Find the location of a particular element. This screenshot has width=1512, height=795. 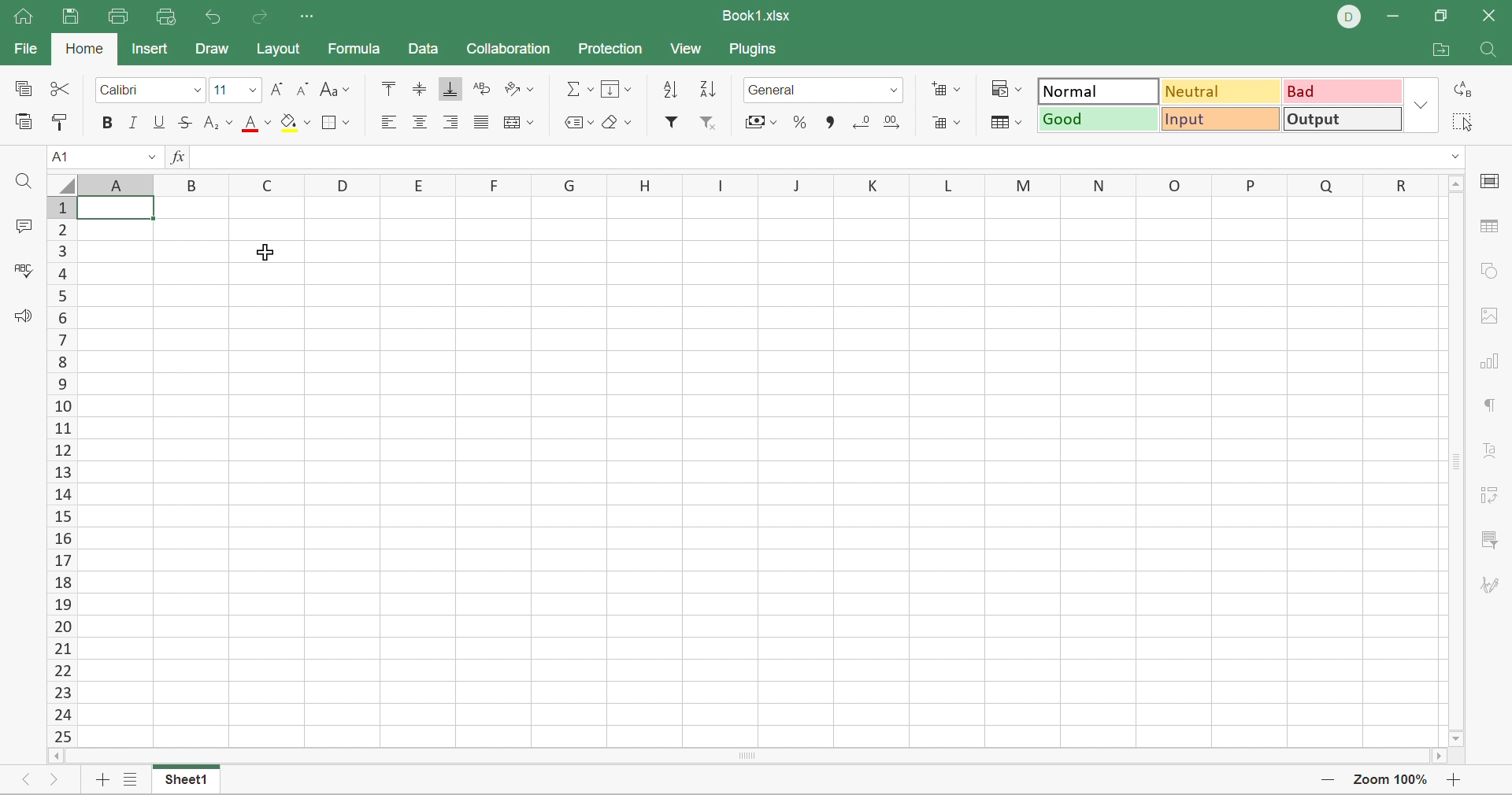

Comma style is located at coordinates (829, 120).